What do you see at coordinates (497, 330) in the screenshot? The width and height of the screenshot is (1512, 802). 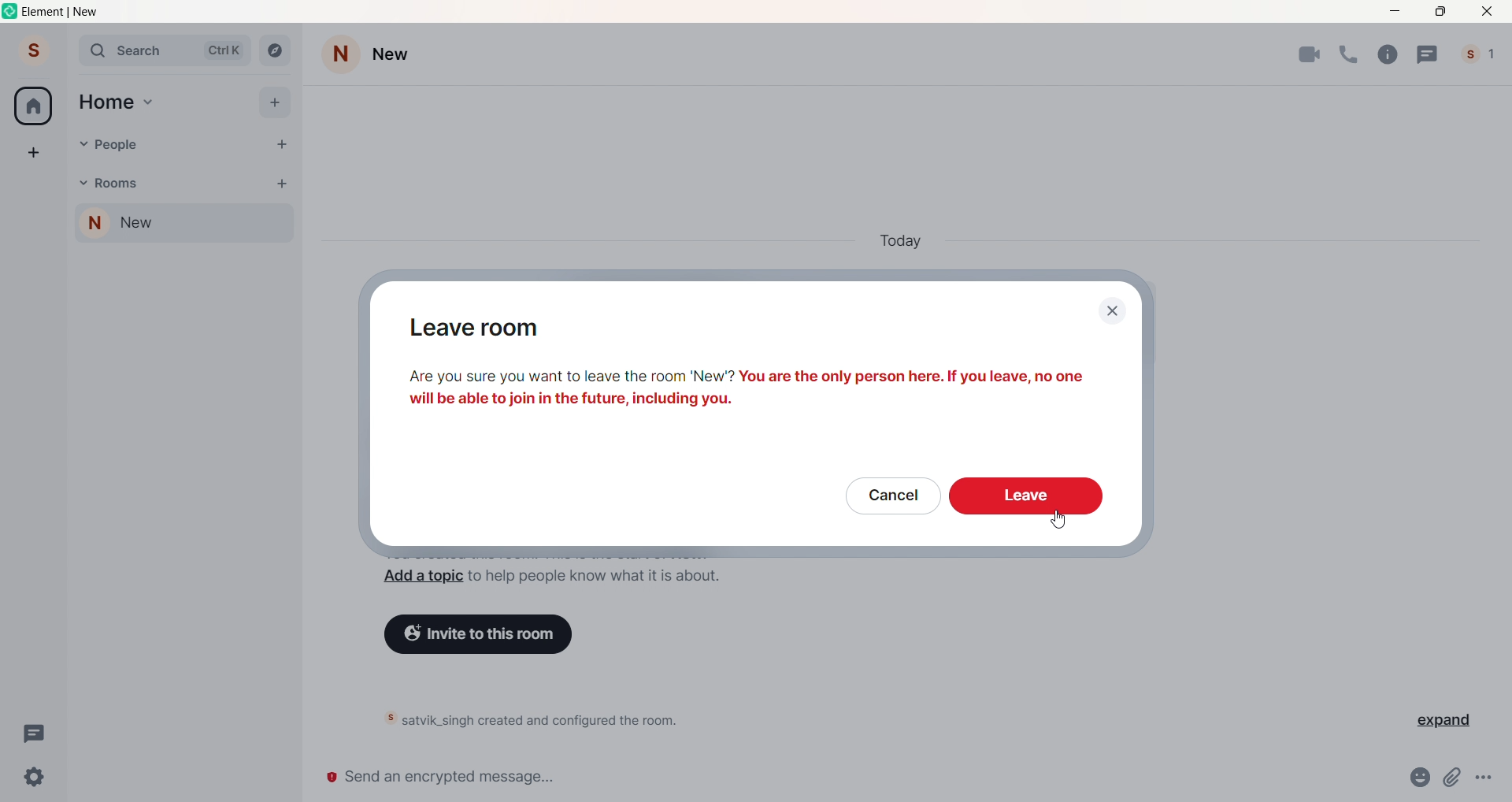 I see `Leave Room` at bounding box center [497, 330].